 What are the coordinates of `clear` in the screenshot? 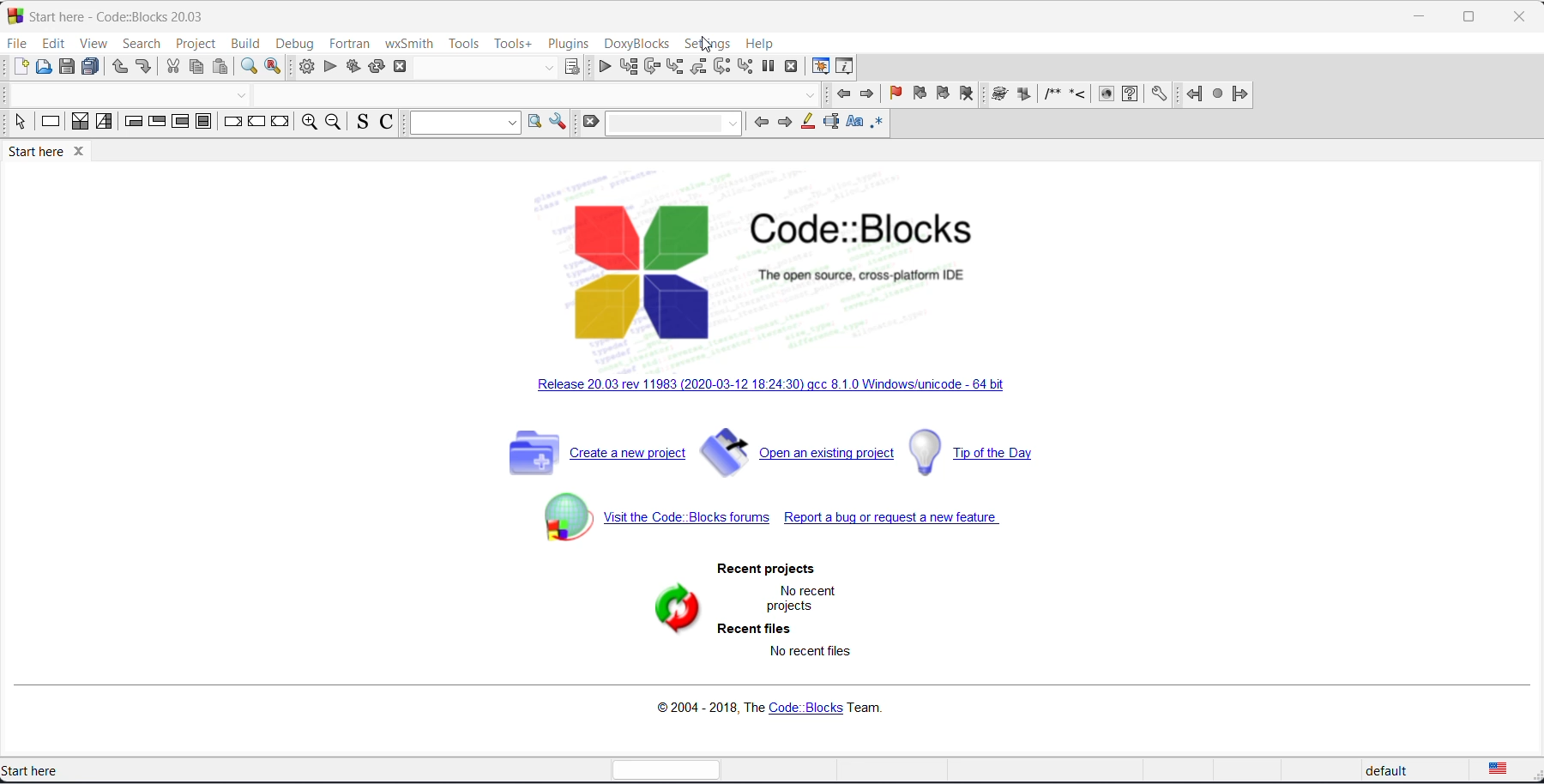 It's located at (591, 122).